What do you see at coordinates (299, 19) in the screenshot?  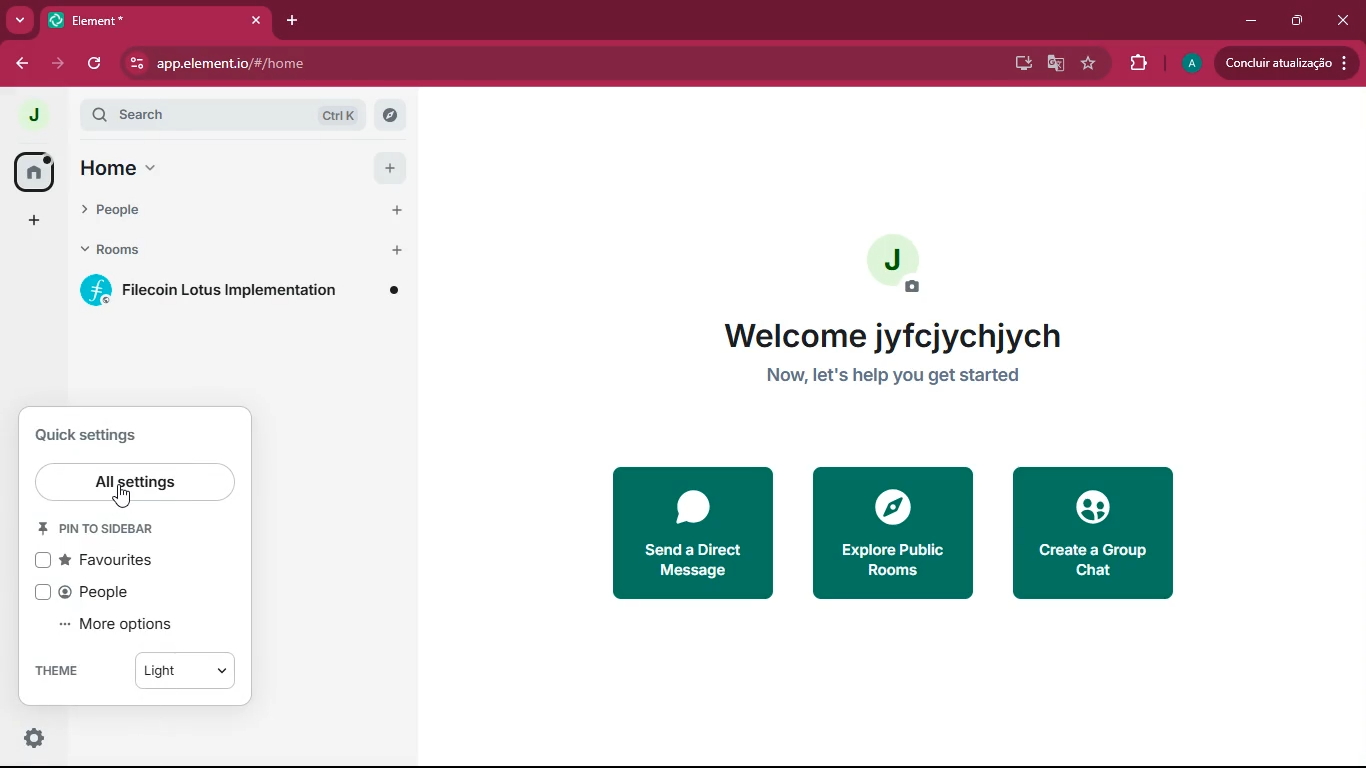 I see `add tab` at bounding box center [299, 19].